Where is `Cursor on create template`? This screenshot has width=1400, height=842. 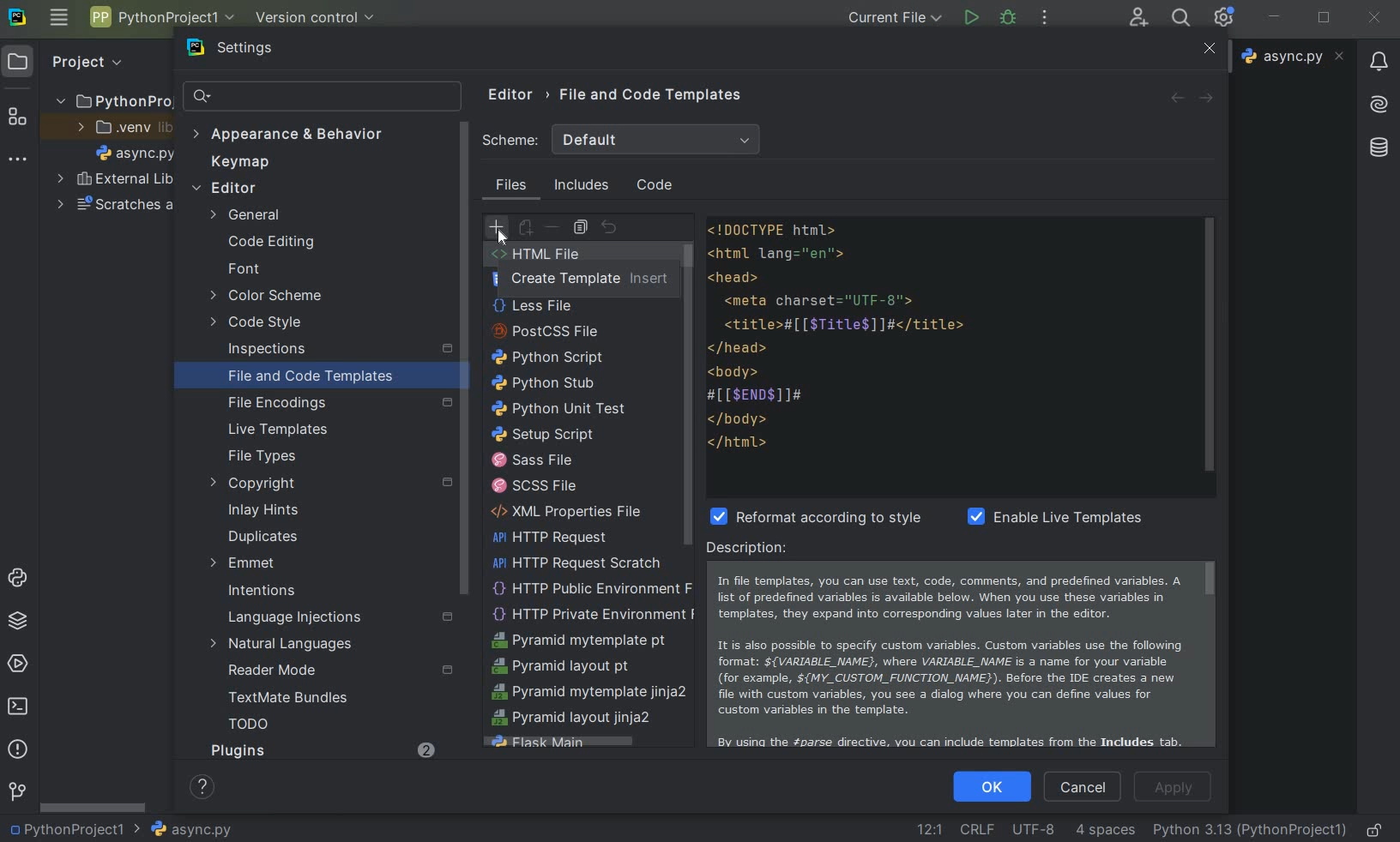
Cursor on create template is located at coordinates (491, 231).